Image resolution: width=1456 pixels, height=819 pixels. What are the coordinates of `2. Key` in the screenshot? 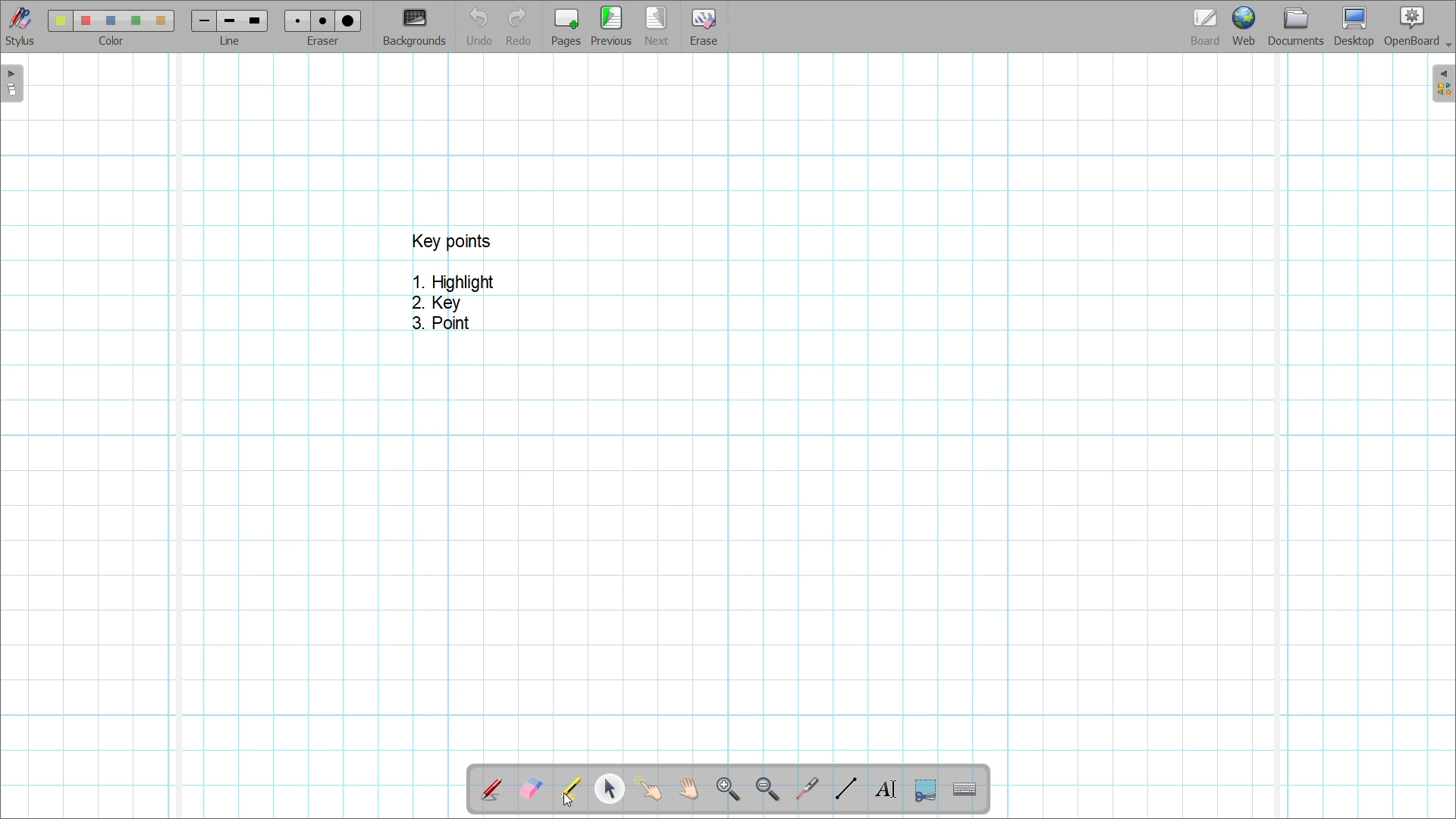 It's located at (438, 303).